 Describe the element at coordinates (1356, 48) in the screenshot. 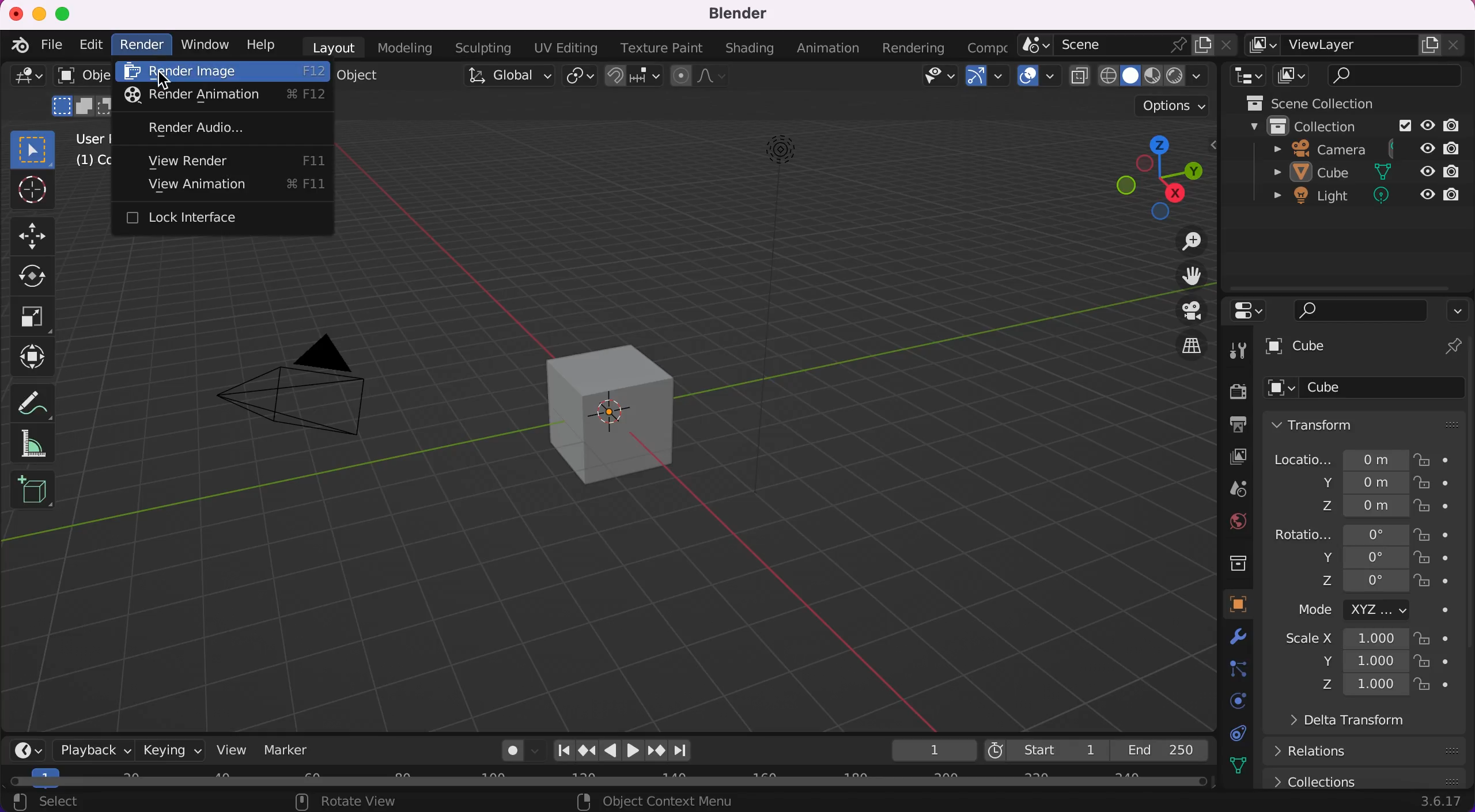

I see `viewlayer` at that location.